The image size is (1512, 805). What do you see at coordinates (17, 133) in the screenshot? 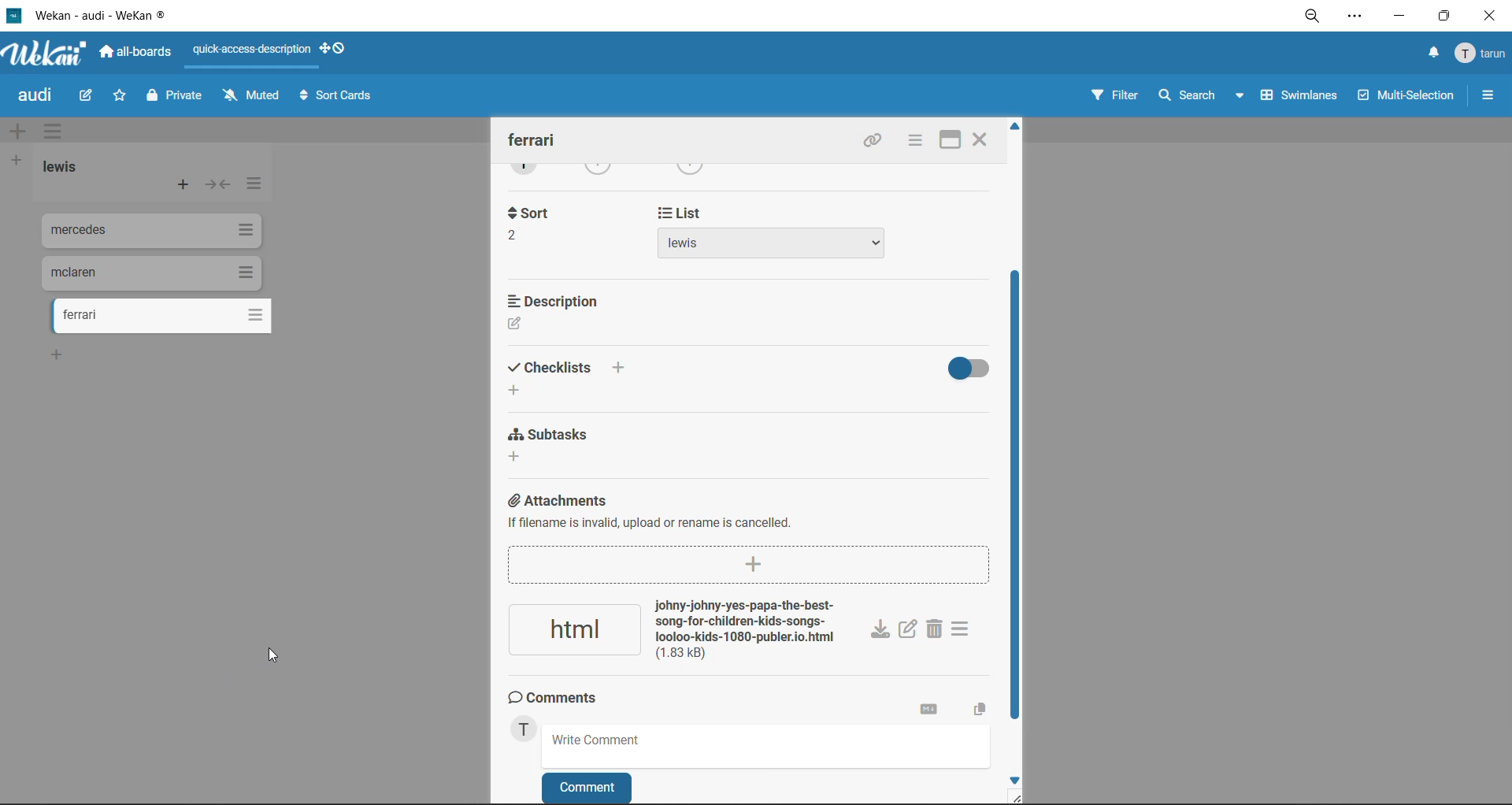
I see `add swimlane` at bounding box center [17, 133].